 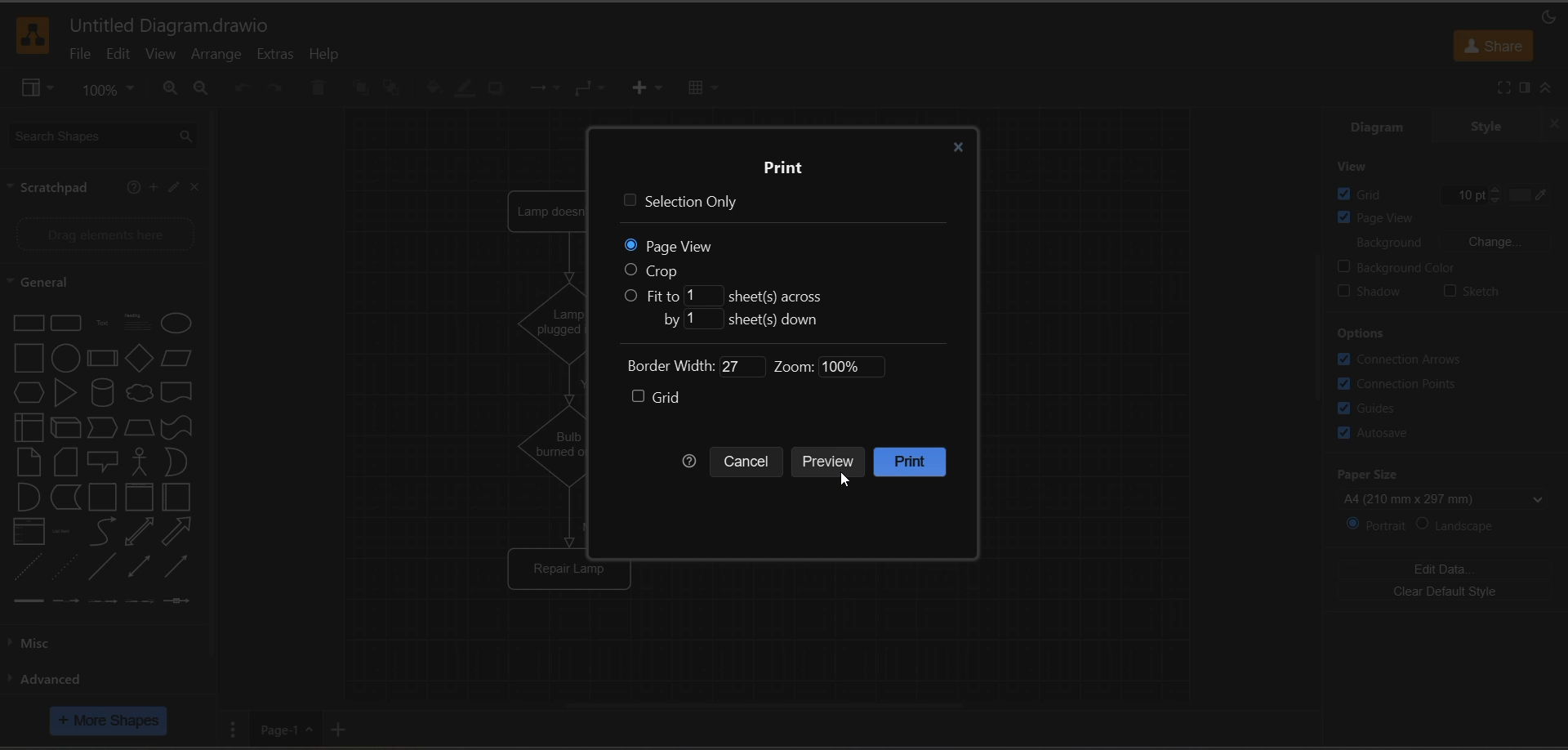 I want to click on fullscreen, so click(x=1490, y=88).